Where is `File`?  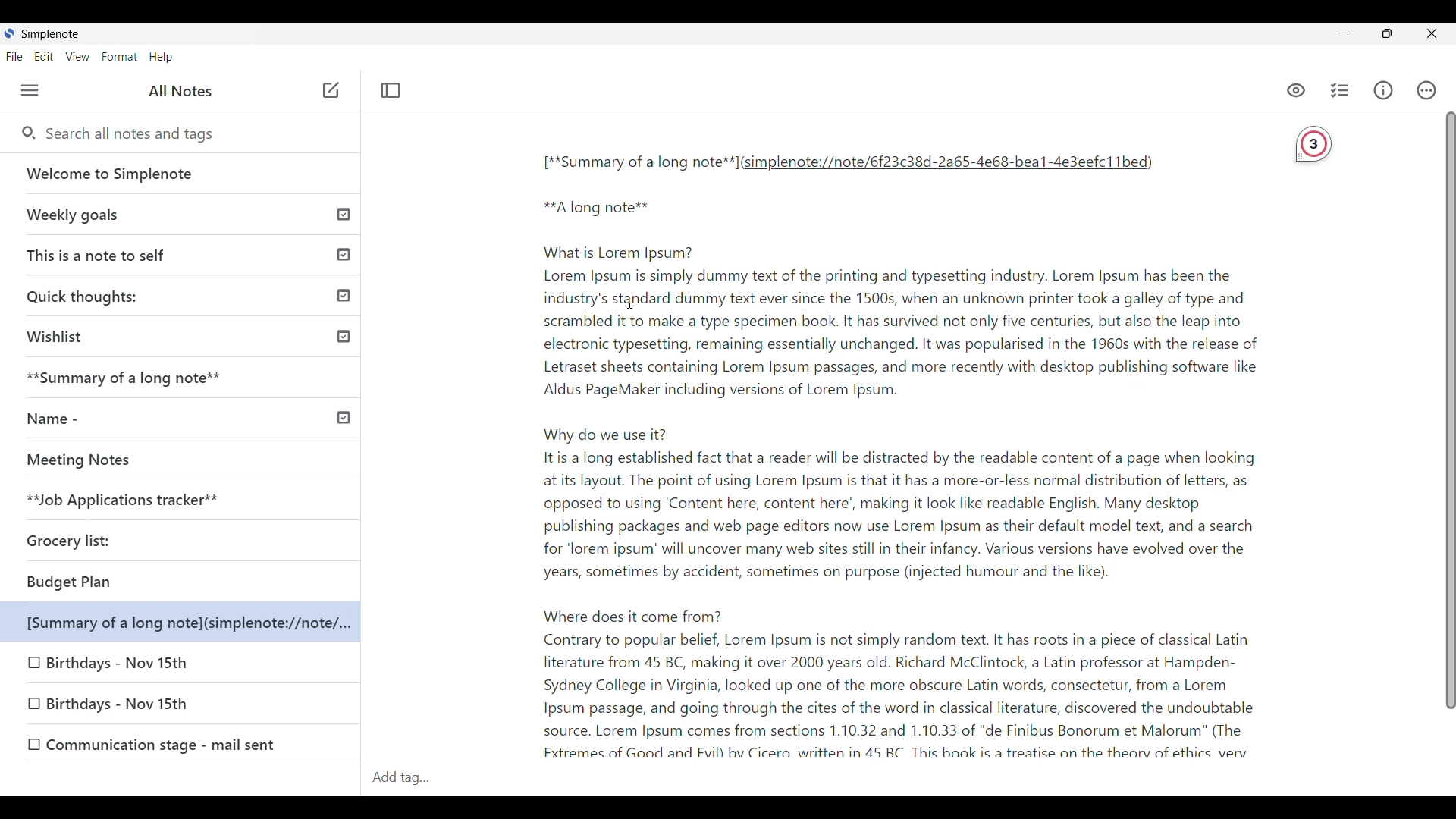
File is located at coordinates (14, 56).